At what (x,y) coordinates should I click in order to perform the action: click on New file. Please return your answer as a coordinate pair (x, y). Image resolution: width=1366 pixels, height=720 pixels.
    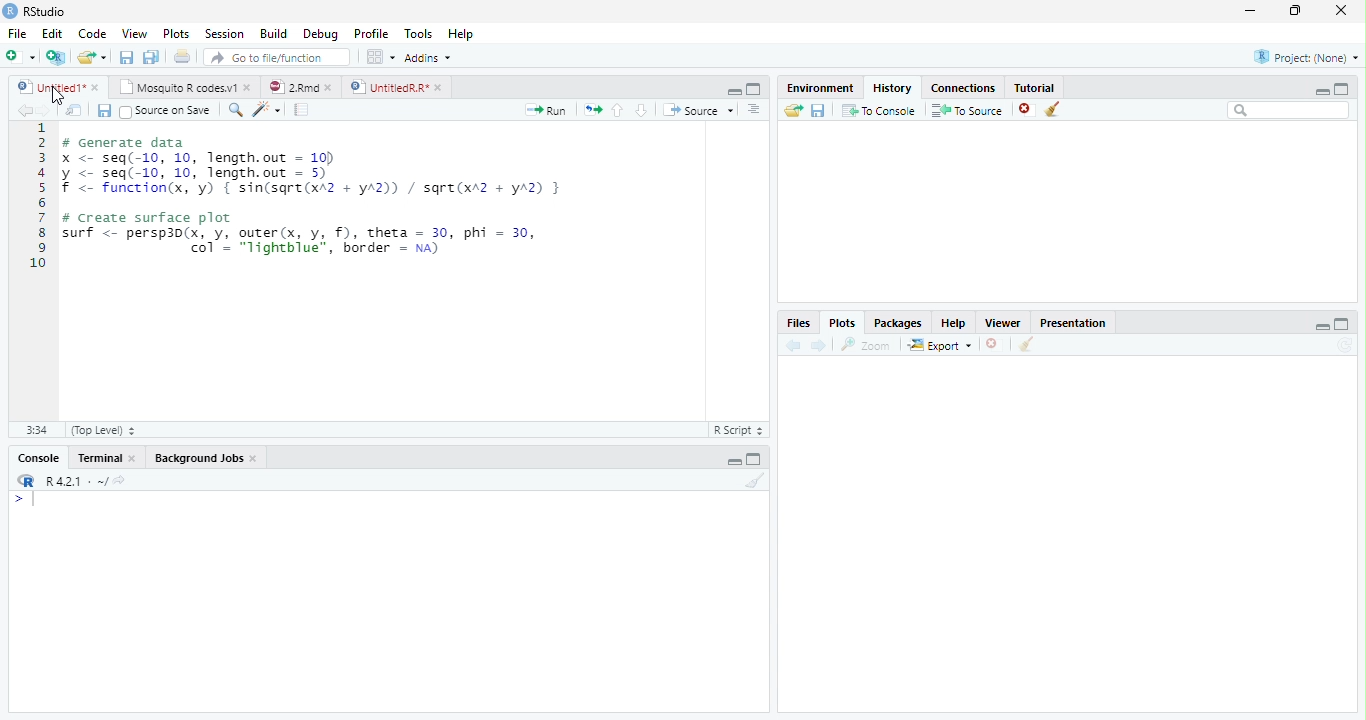
    Looking at the image, I should click on (19, 57).